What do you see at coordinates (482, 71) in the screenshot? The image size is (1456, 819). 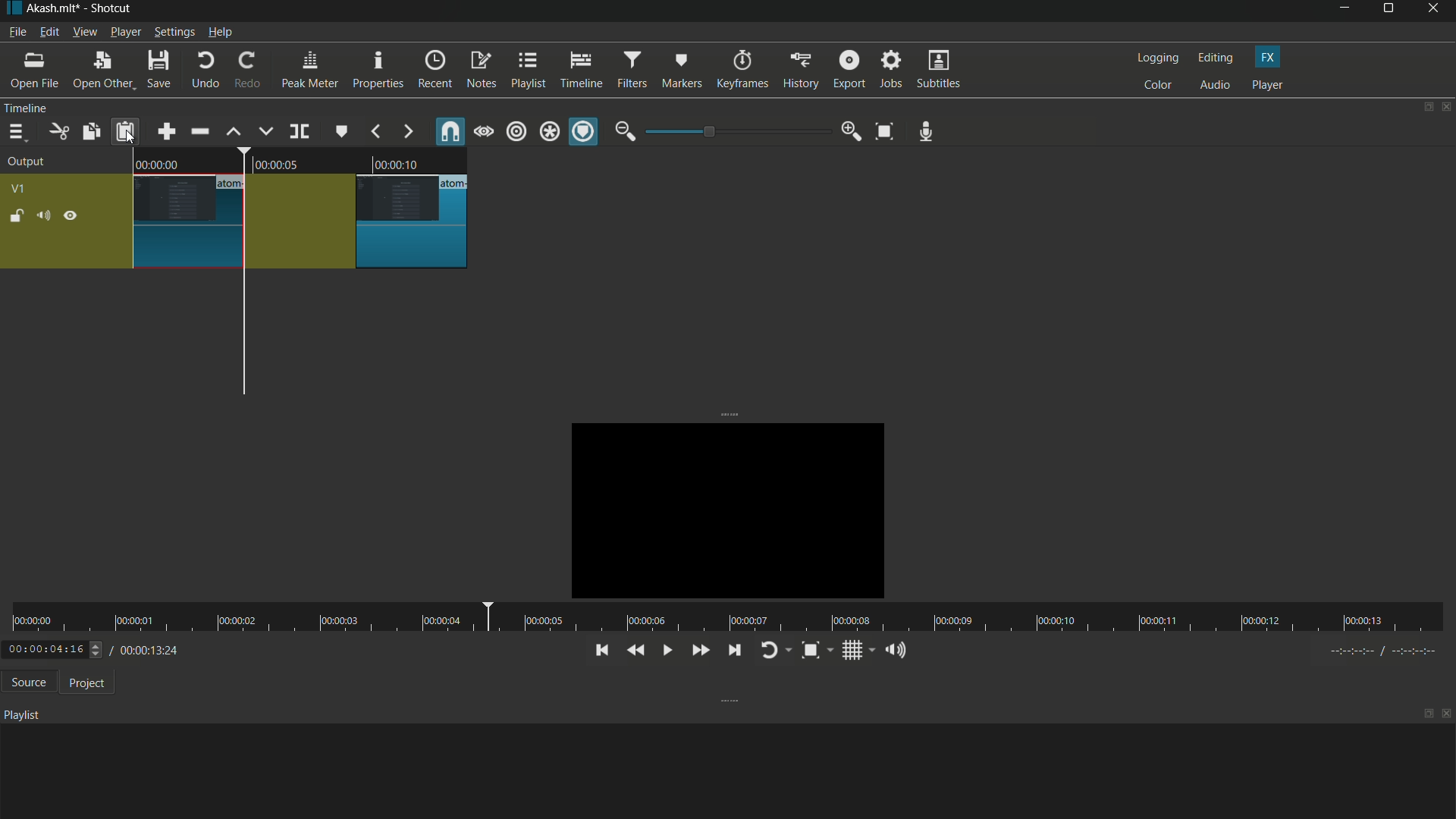 I see `notes` at bounding box center [482, 71].